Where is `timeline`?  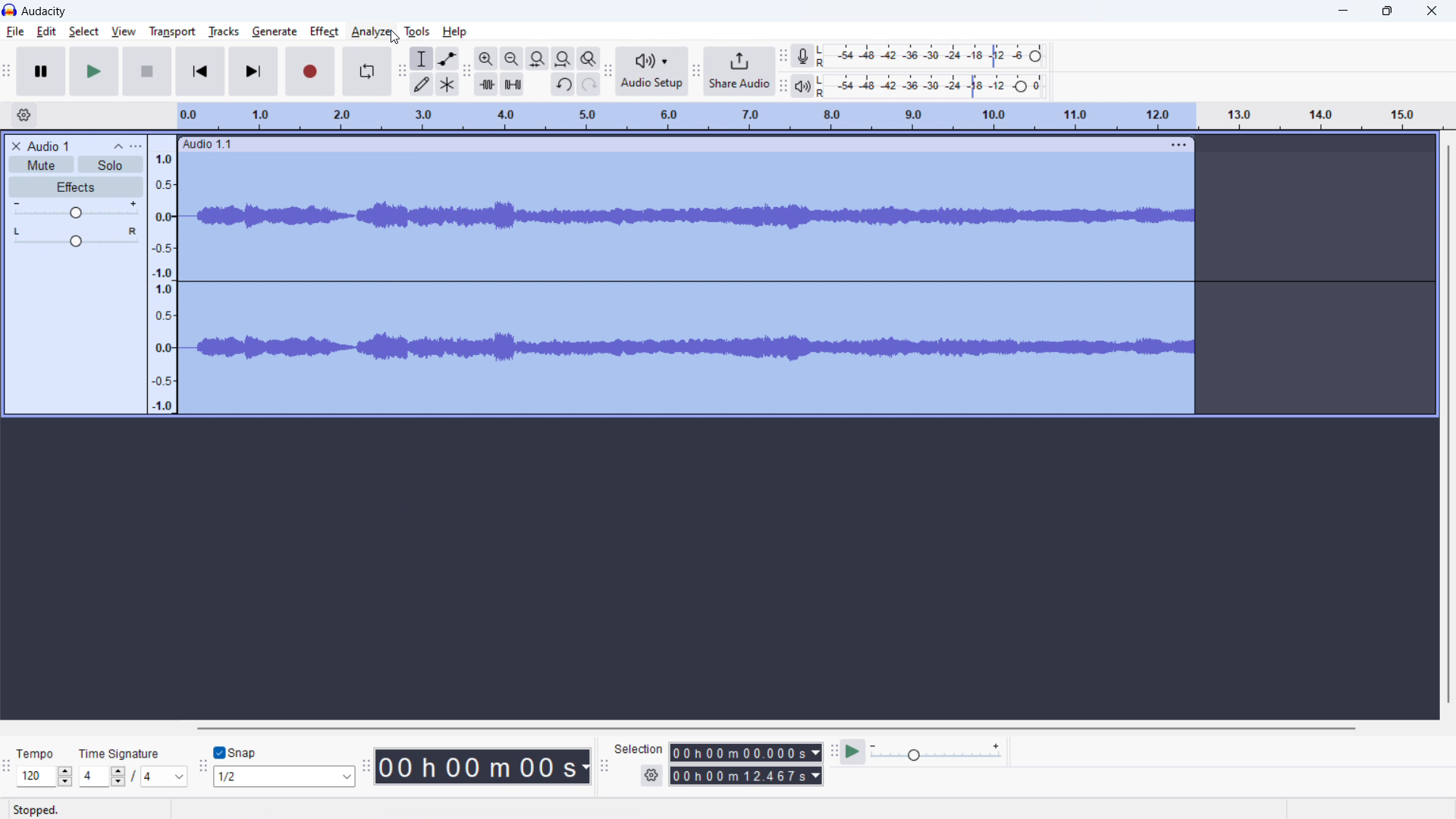 timeline is located at coordinates (808, 116).